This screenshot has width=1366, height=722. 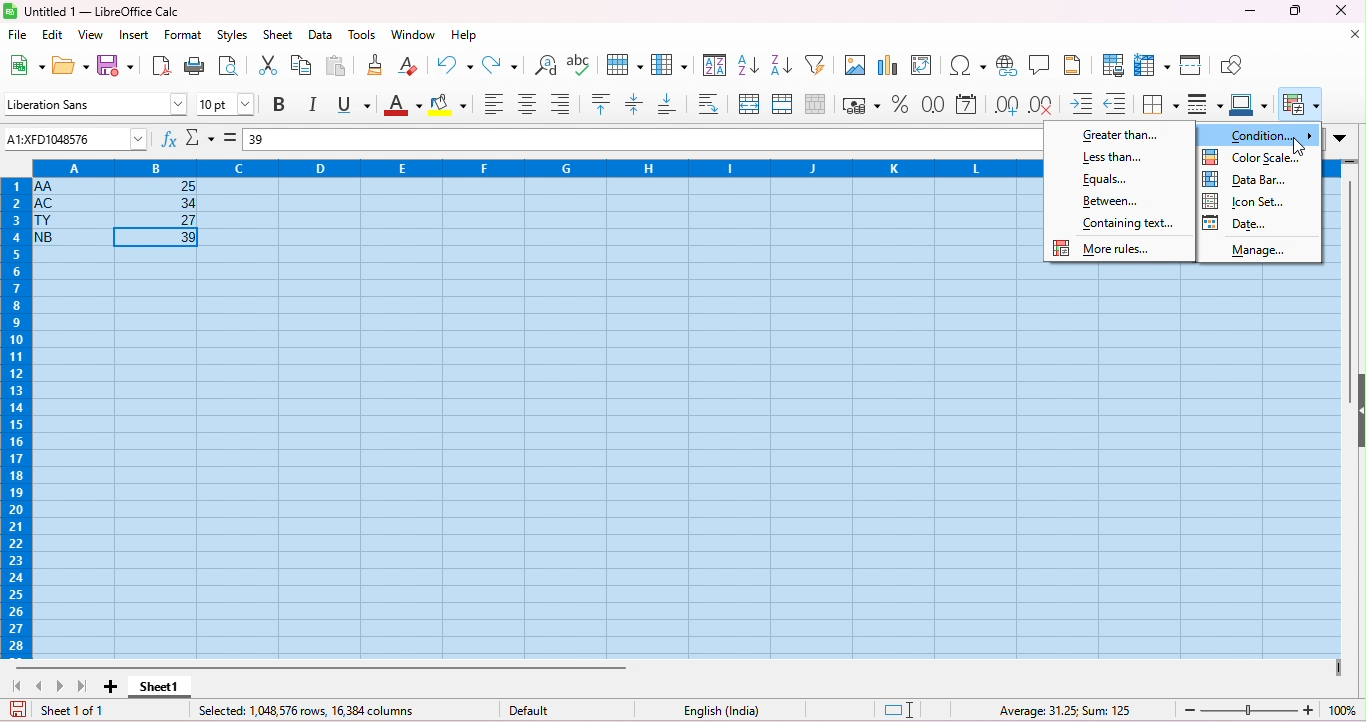 What do you see at coordinates (201, 137) in the screenshot?
I see `select function` at bounding box center [201, 137].